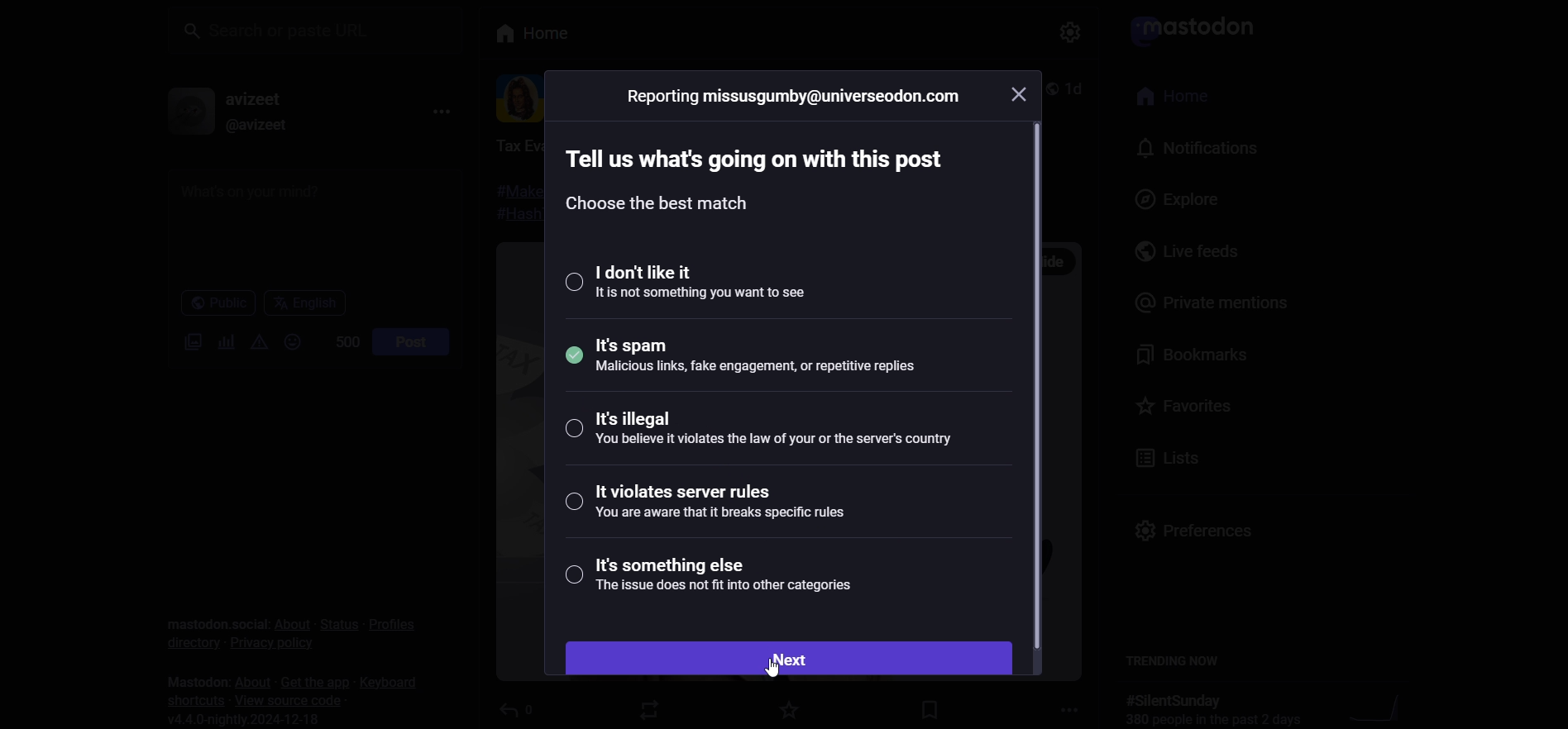 The image size is (1568, 729). What do you see at coordinates (748, 352) in the screenshot?
I see `selected spam` at bounding box center [748, 352].